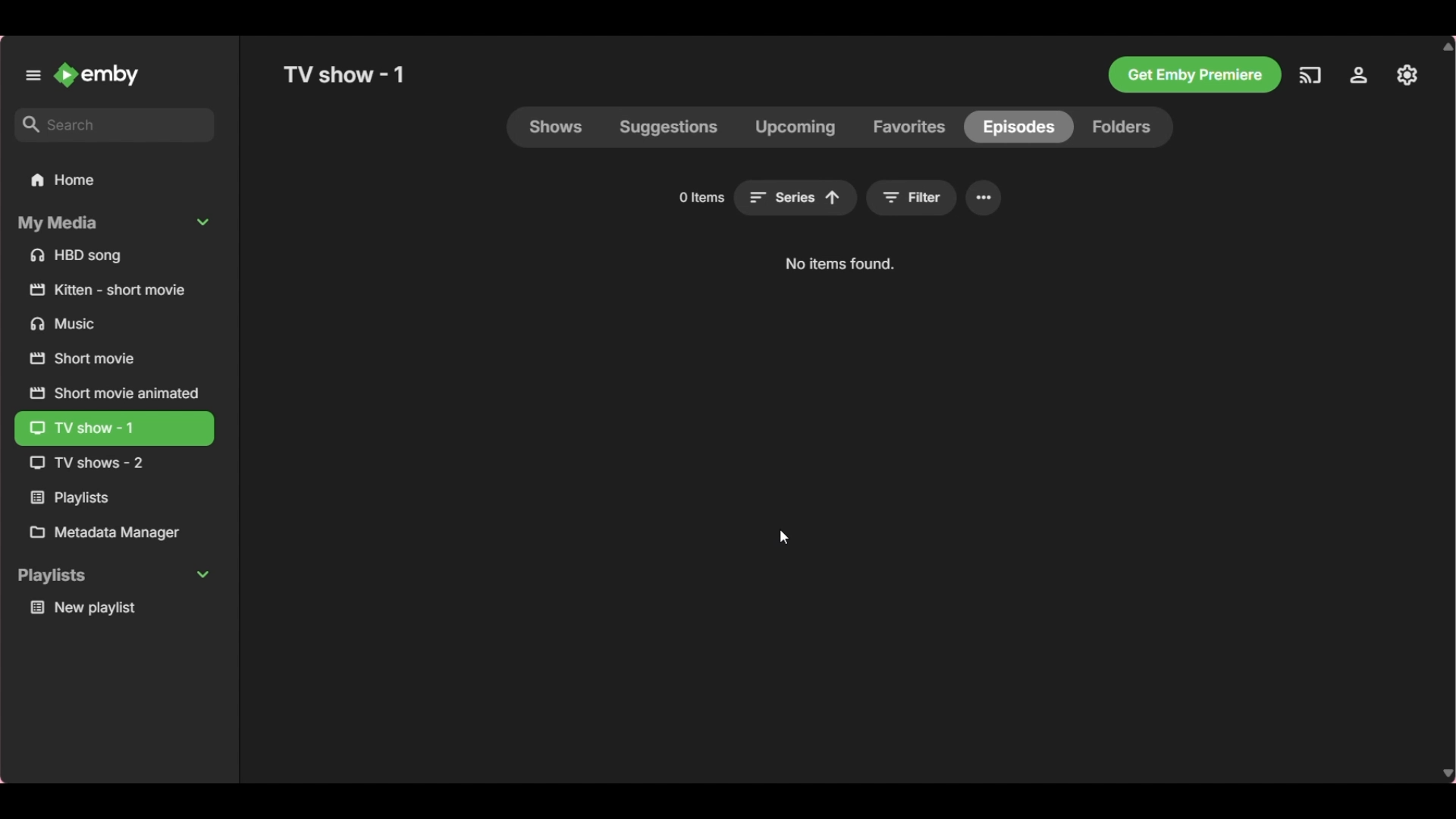 The width and height of the screenshot is (1456, 819). I want to click on Unpin left panel, so click(33, 75).